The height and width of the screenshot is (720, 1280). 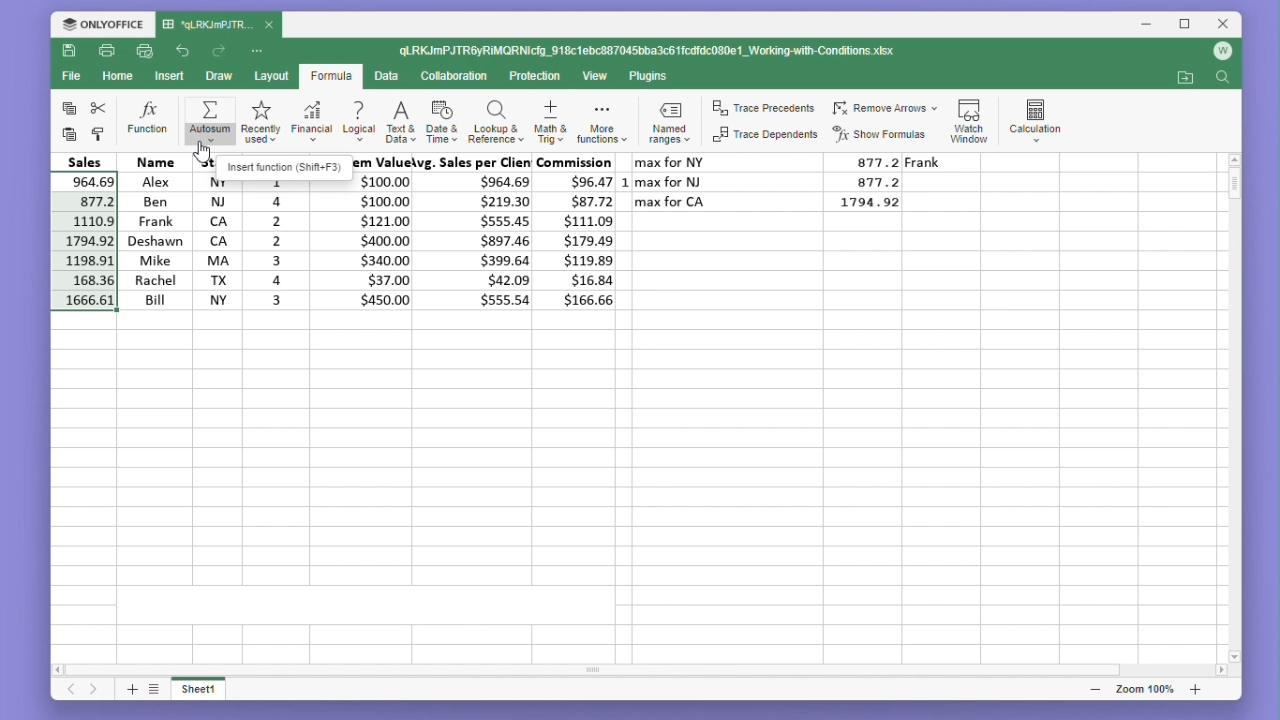 What do you see at coordinates (579, 231) in the screenshot?
I see `commission` at bounding box center [579, 231].